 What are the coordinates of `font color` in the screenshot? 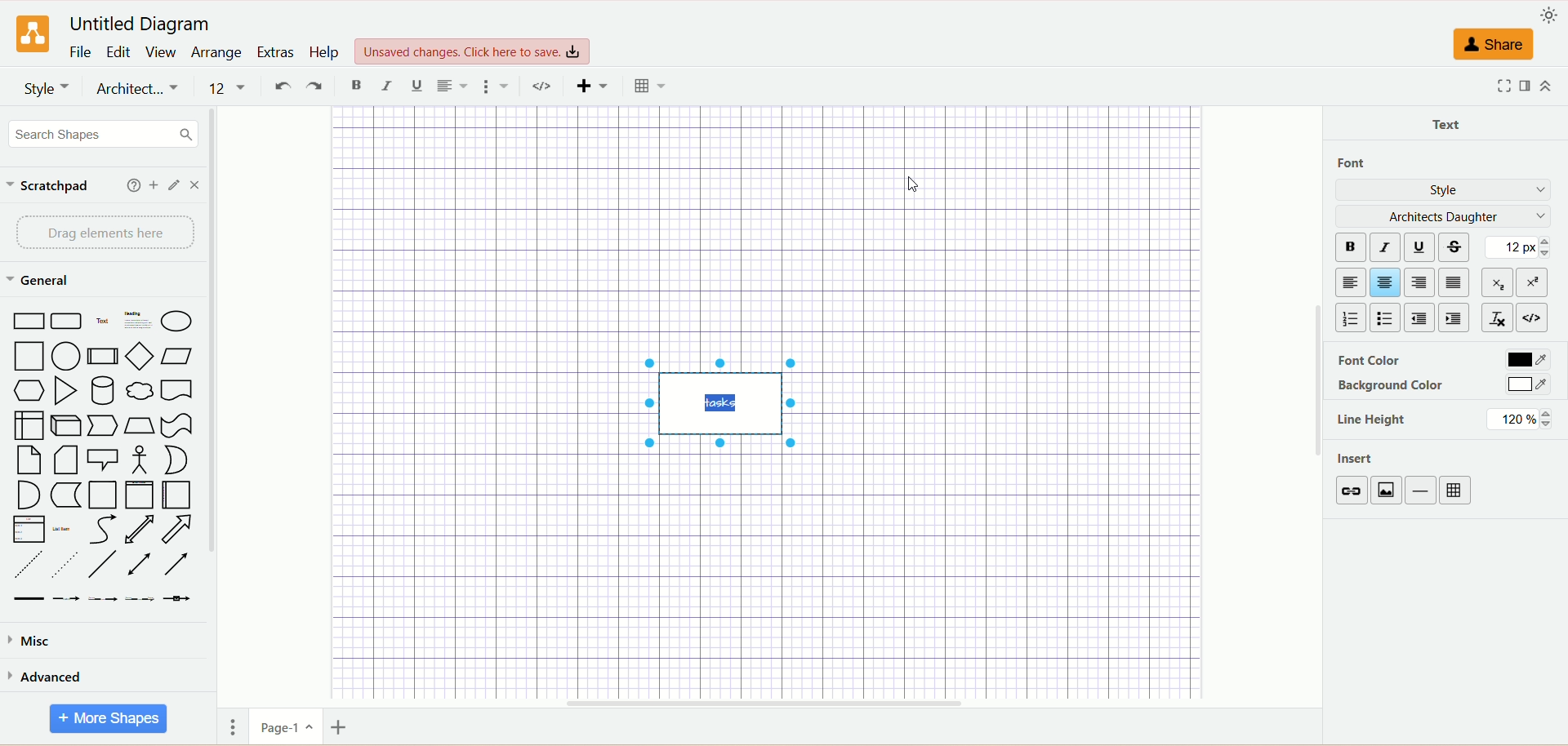 It's located at (1366, 362).